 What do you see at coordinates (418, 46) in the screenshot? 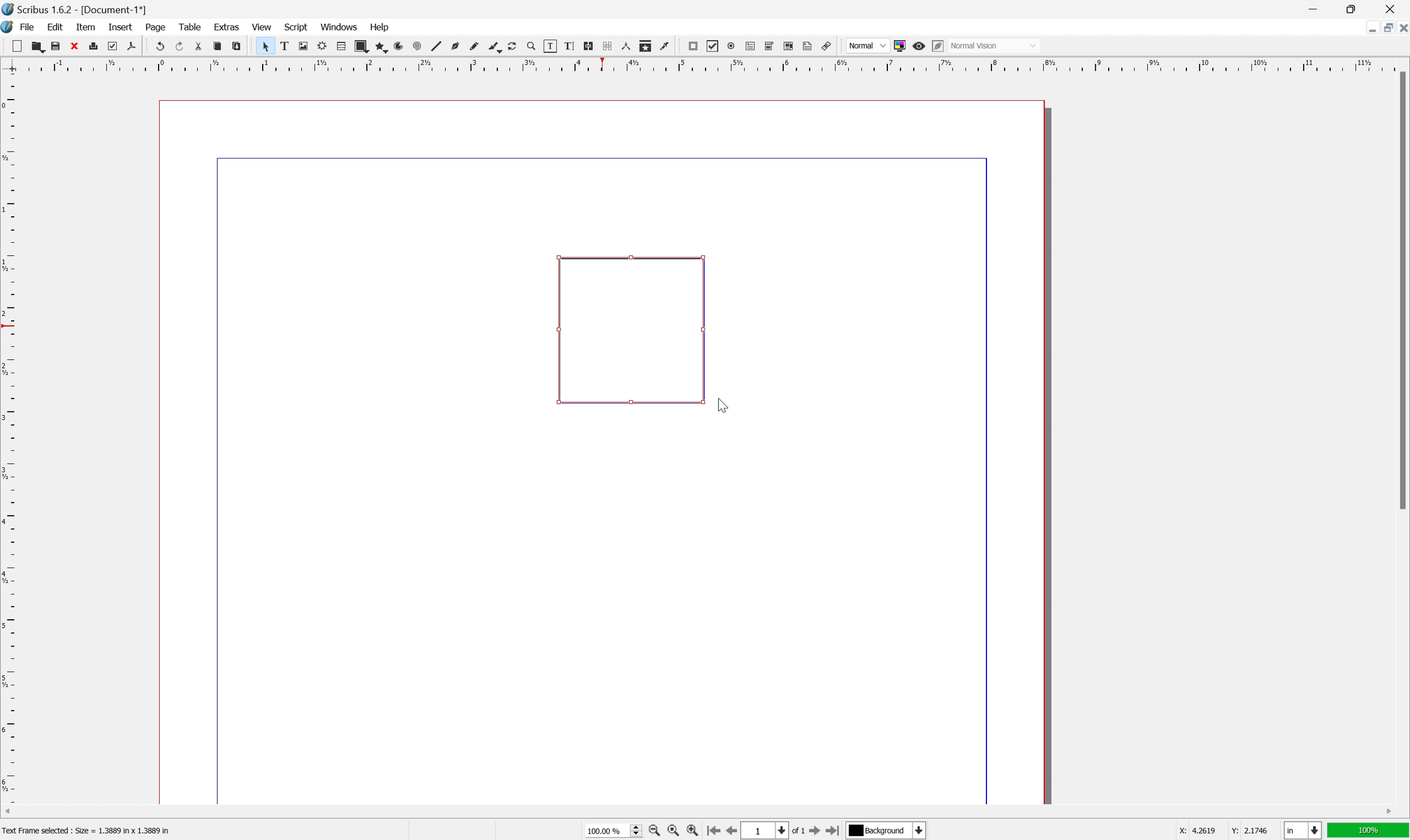
I see `spiral` at bounding box center [418, 46].